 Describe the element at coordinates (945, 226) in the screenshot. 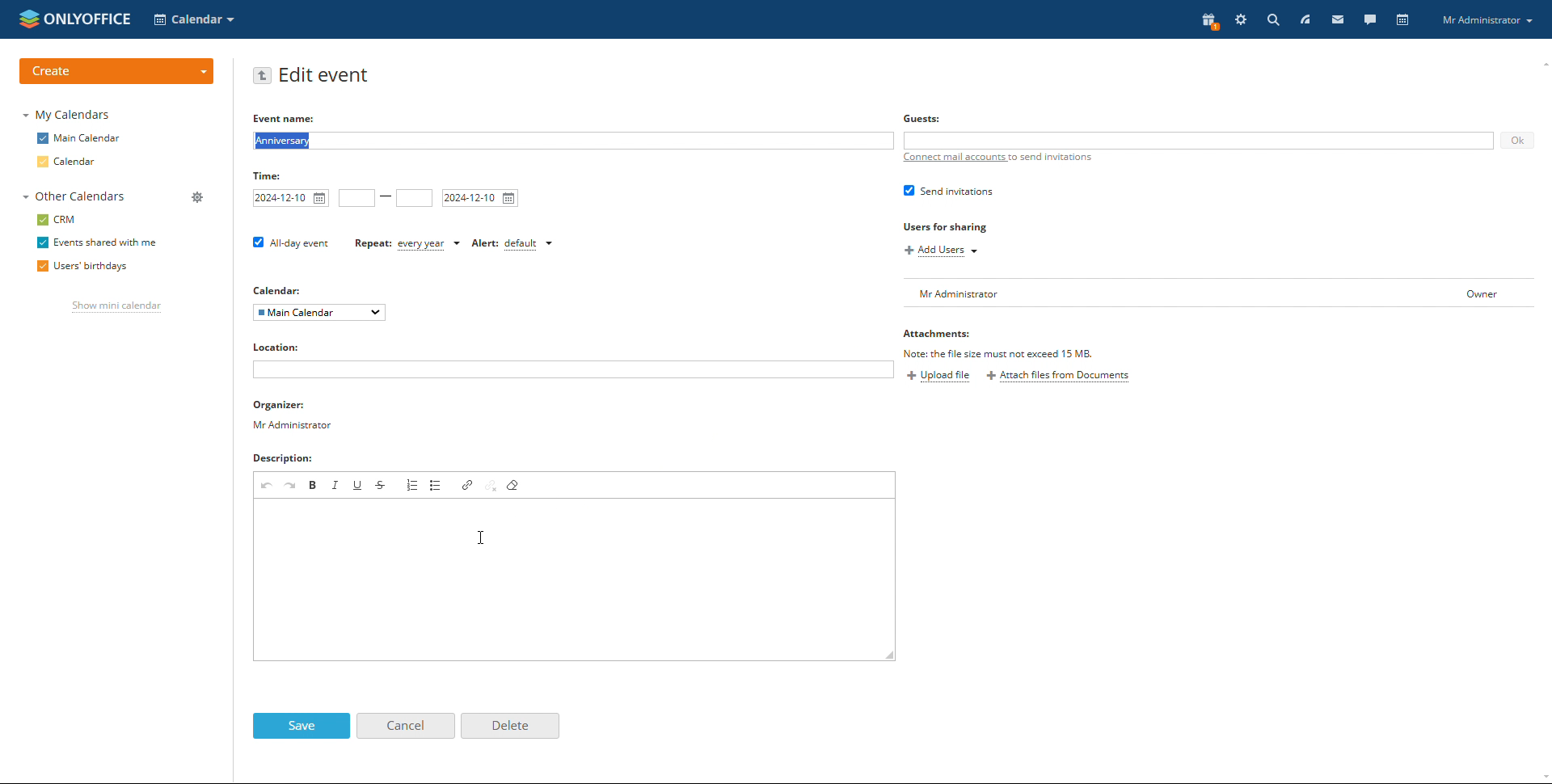

I see `Users for sharing.` at that location.